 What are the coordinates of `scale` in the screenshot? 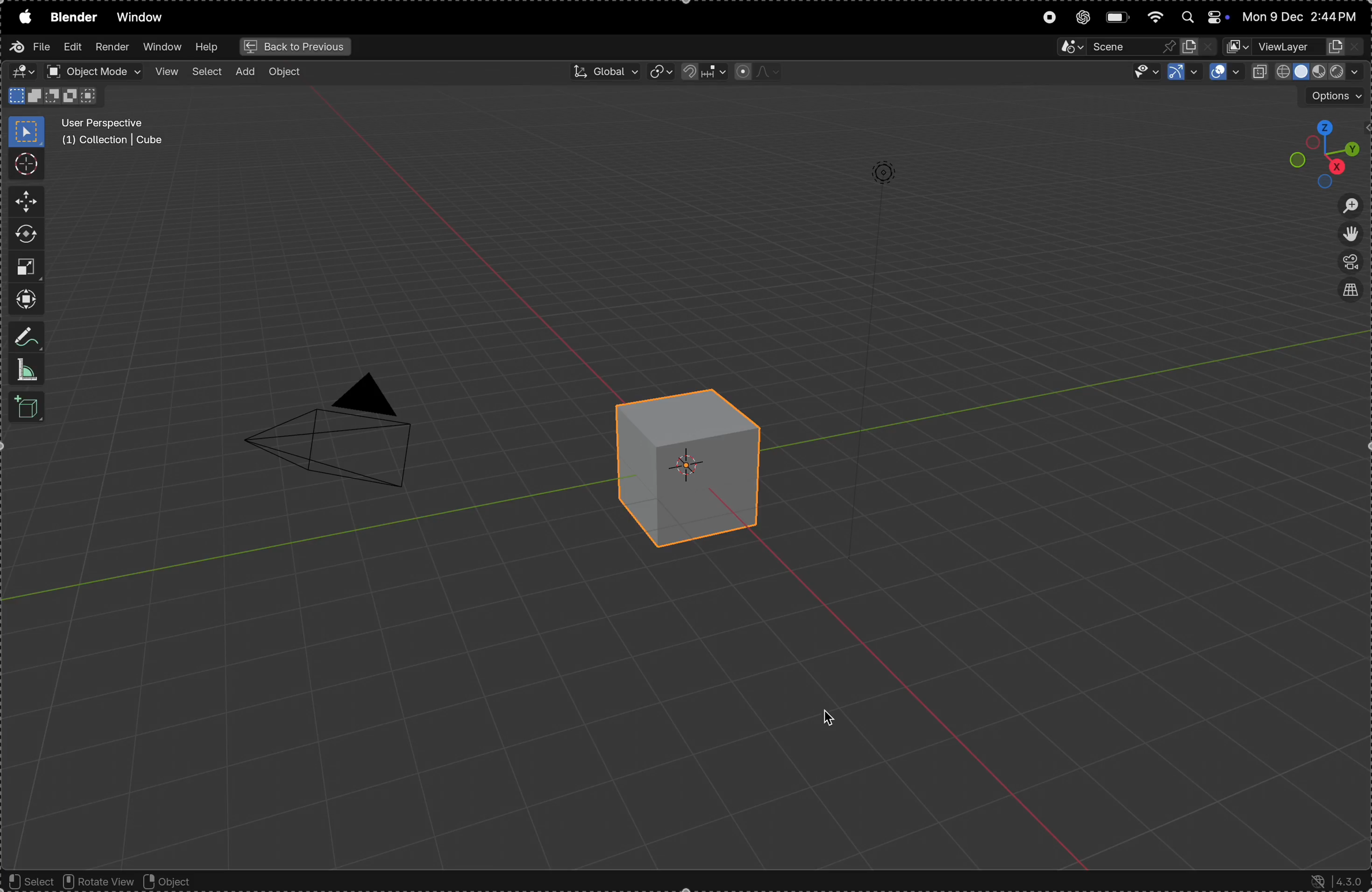 It's located at (29, 267).